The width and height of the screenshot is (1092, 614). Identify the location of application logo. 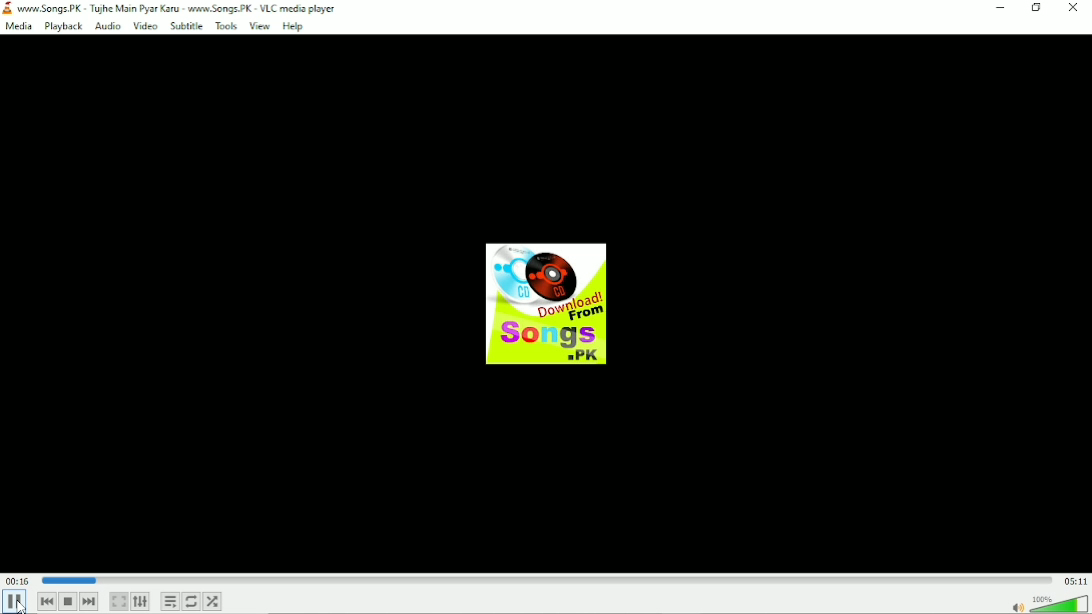
(7, 7).